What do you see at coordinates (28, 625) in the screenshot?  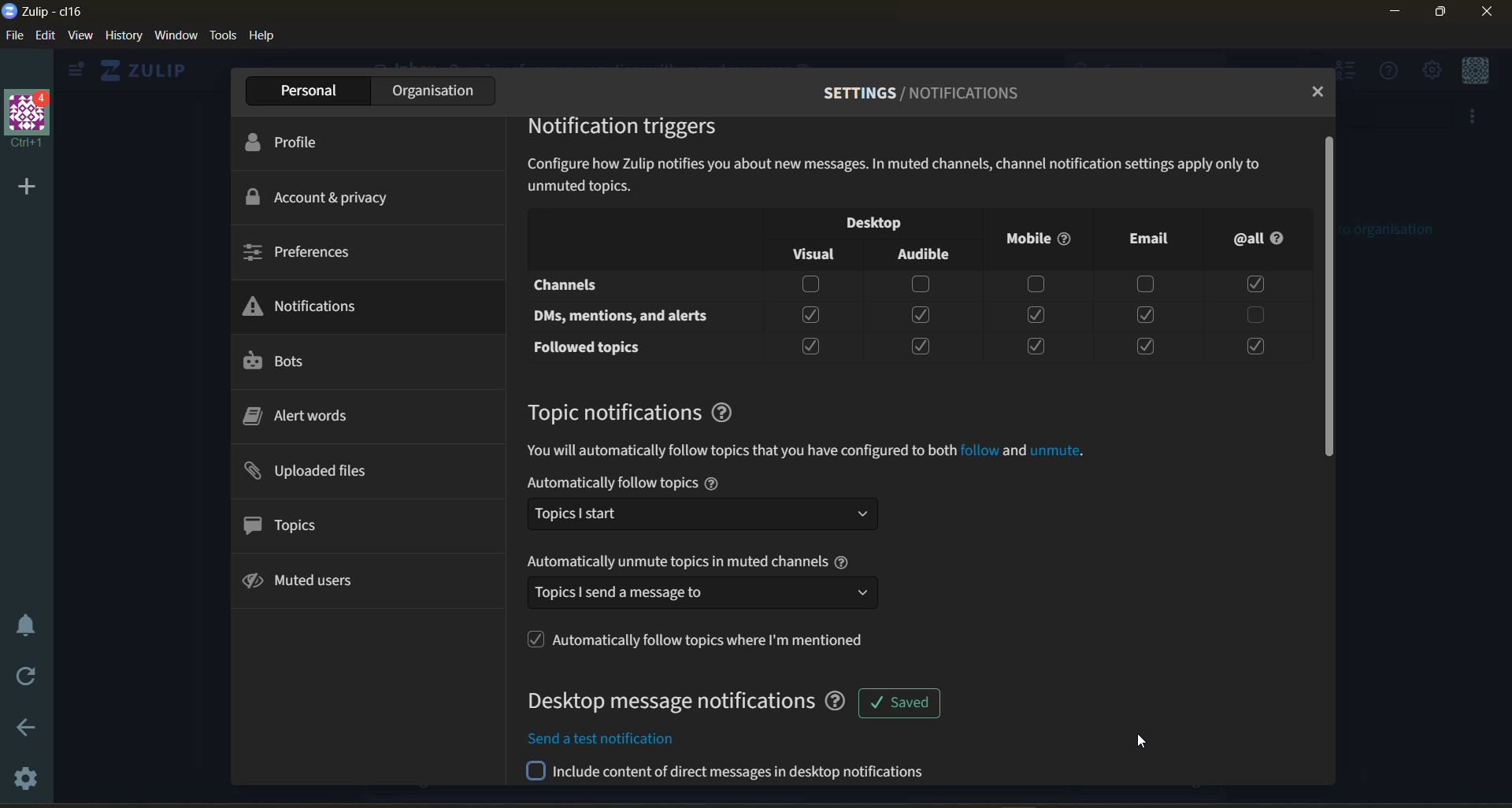 I see `enable do not disturb` at bounding box center [28, 625].